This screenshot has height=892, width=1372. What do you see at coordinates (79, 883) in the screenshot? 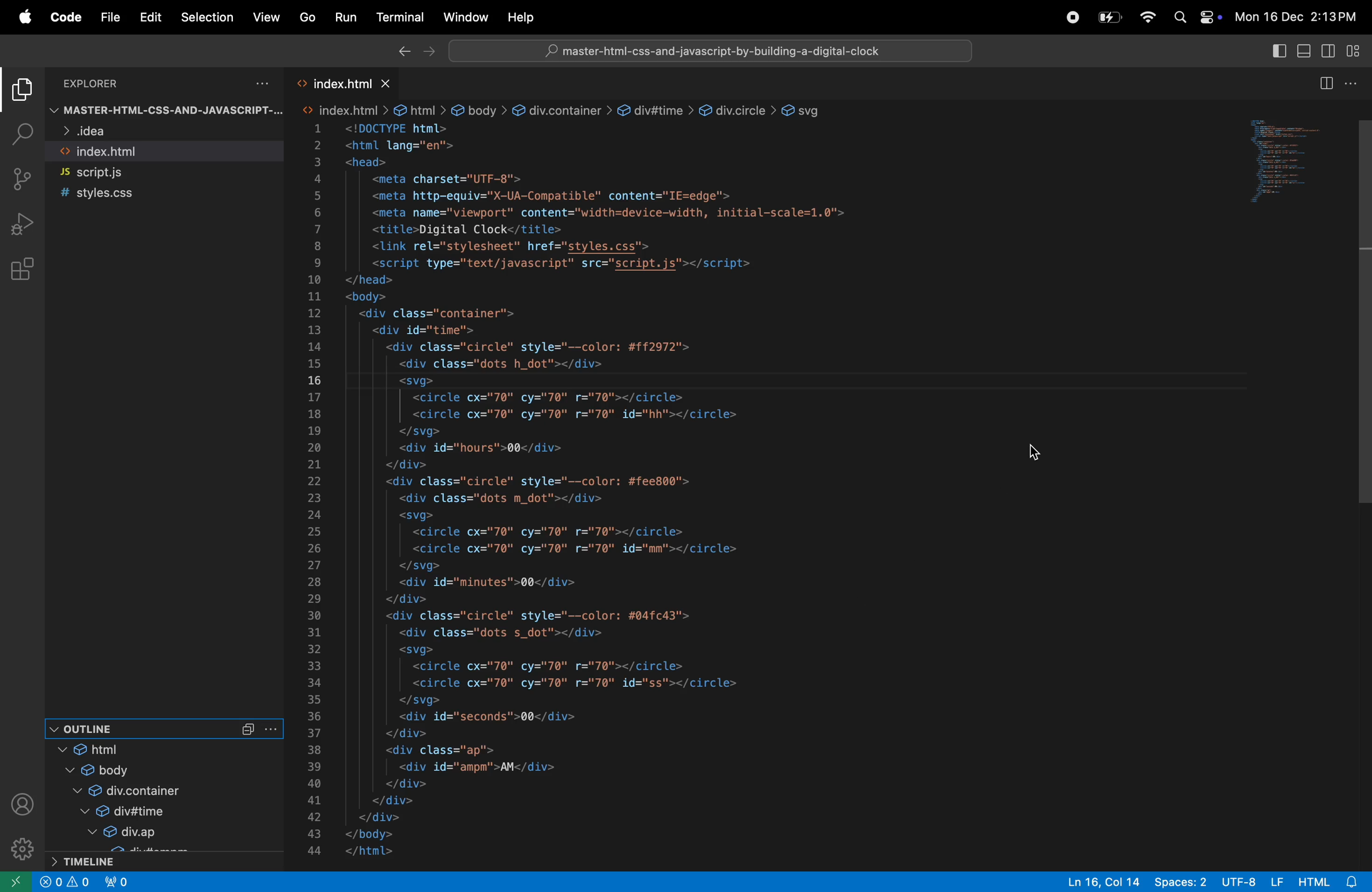
I see `alerts` at bounding box center [79, 883].